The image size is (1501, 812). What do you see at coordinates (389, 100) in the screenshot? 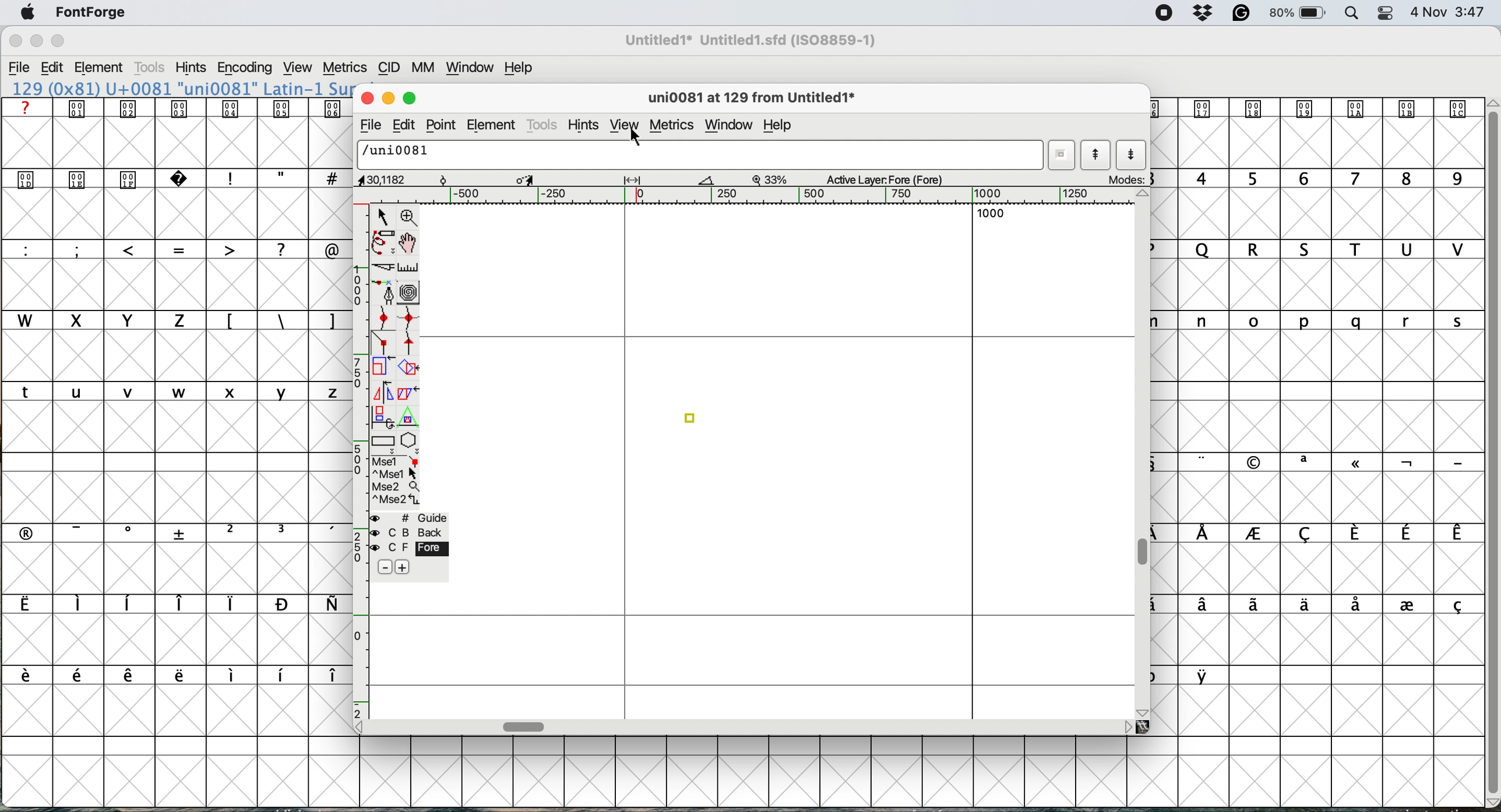
I see `minimise` at bounding box center [389, 100].